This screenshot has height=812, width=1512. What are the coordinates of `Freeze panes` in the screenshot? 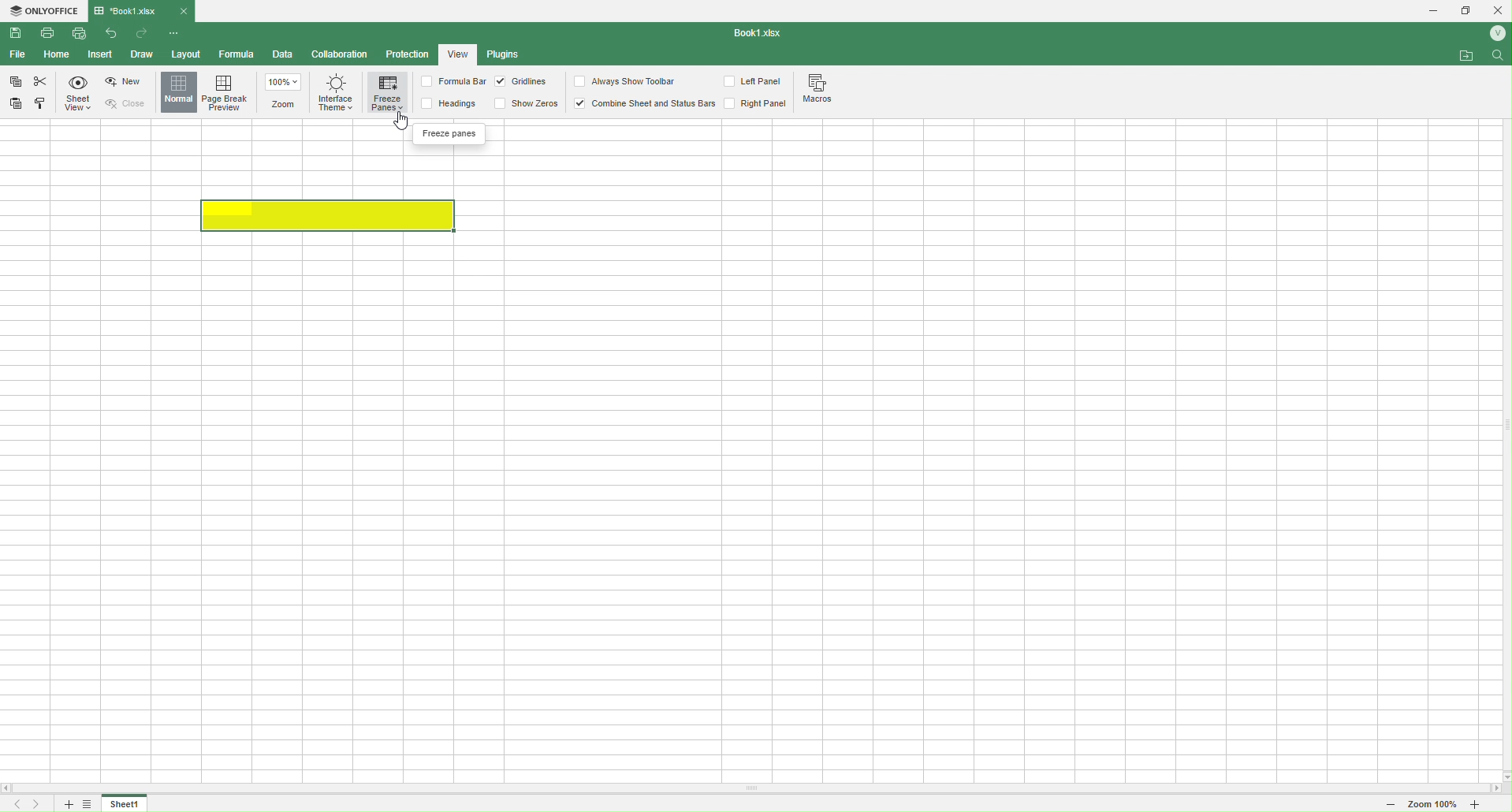 It's located at (445, 135).